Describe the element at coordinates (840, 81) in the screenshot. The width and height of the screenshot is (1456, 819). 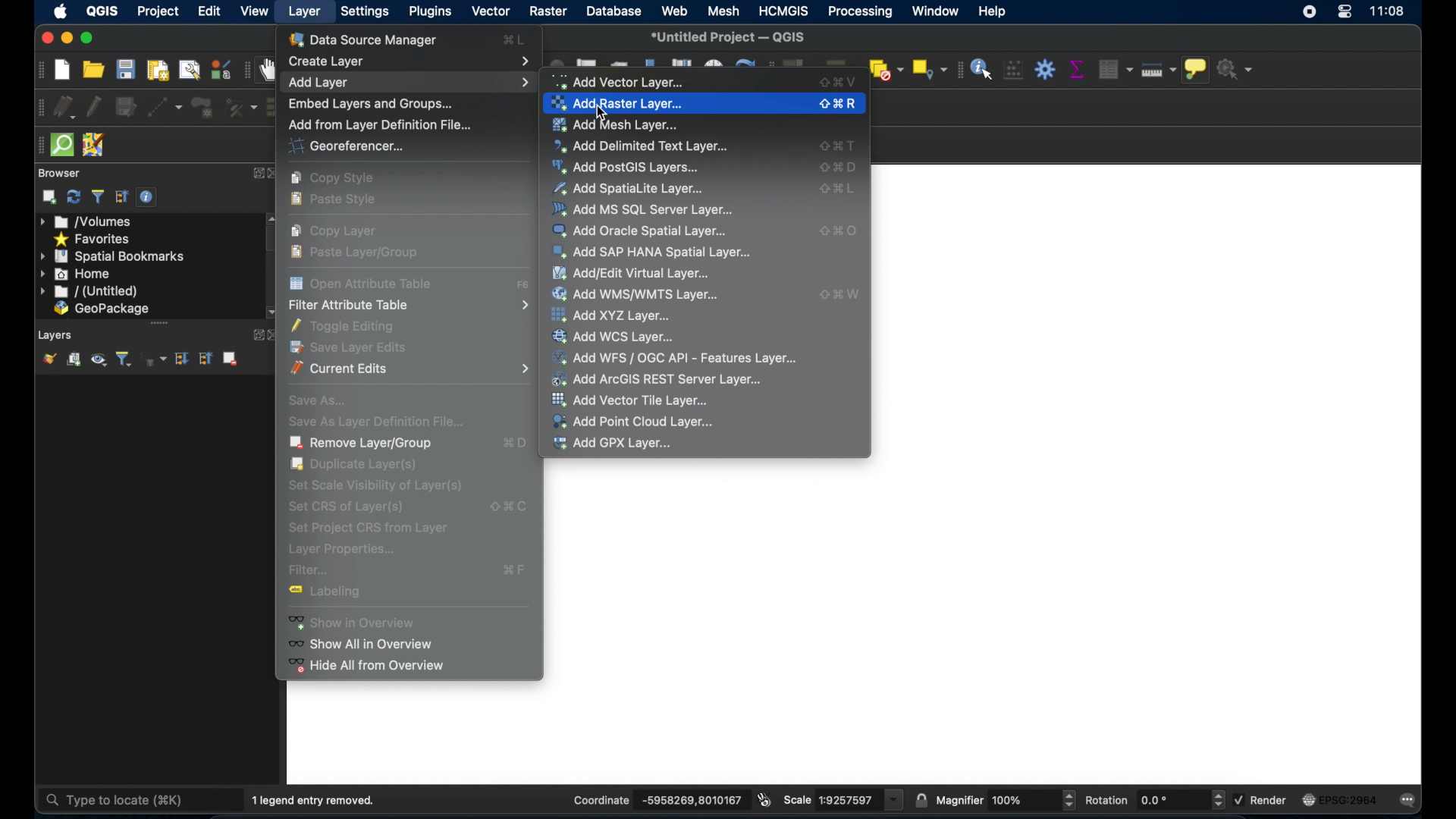
I see `add vector layer` at that location.